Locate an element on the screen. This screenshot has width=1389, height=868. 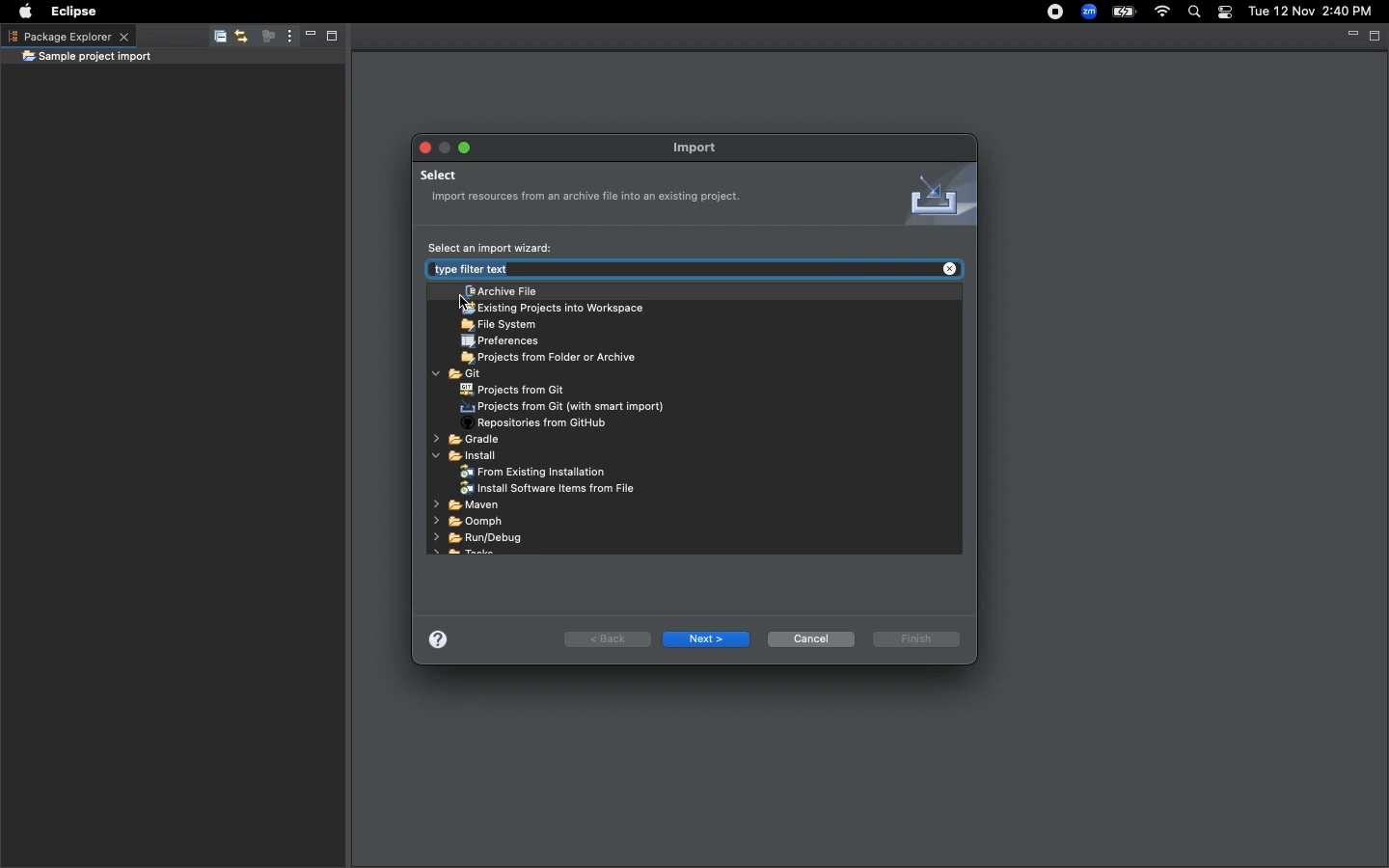
Eclipse is located at coordinates (76, 12).